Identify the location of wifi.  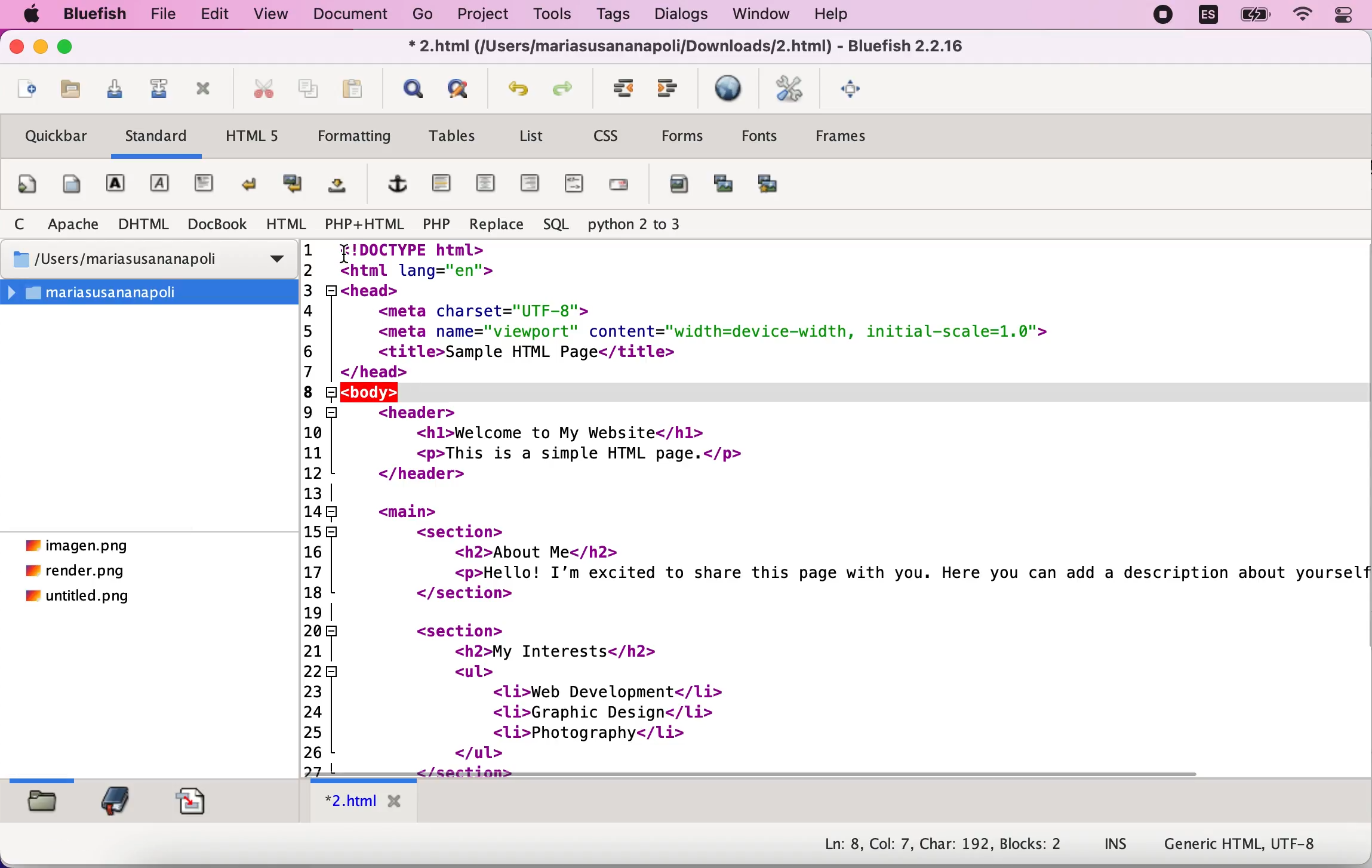
(1303, 17).